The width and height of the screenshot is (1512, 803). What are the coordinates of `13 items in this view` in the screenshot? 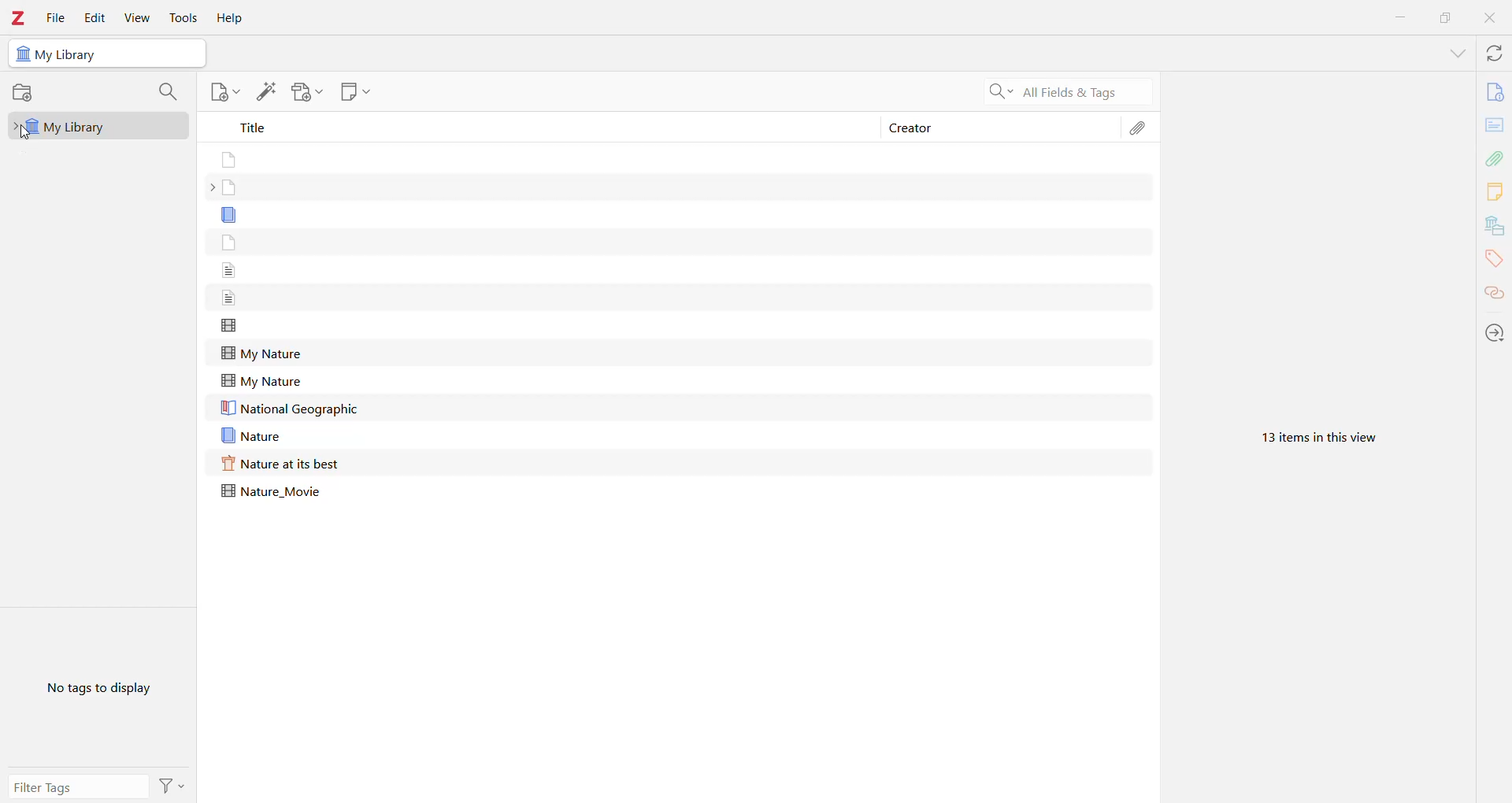 It's located at (1327, 439).